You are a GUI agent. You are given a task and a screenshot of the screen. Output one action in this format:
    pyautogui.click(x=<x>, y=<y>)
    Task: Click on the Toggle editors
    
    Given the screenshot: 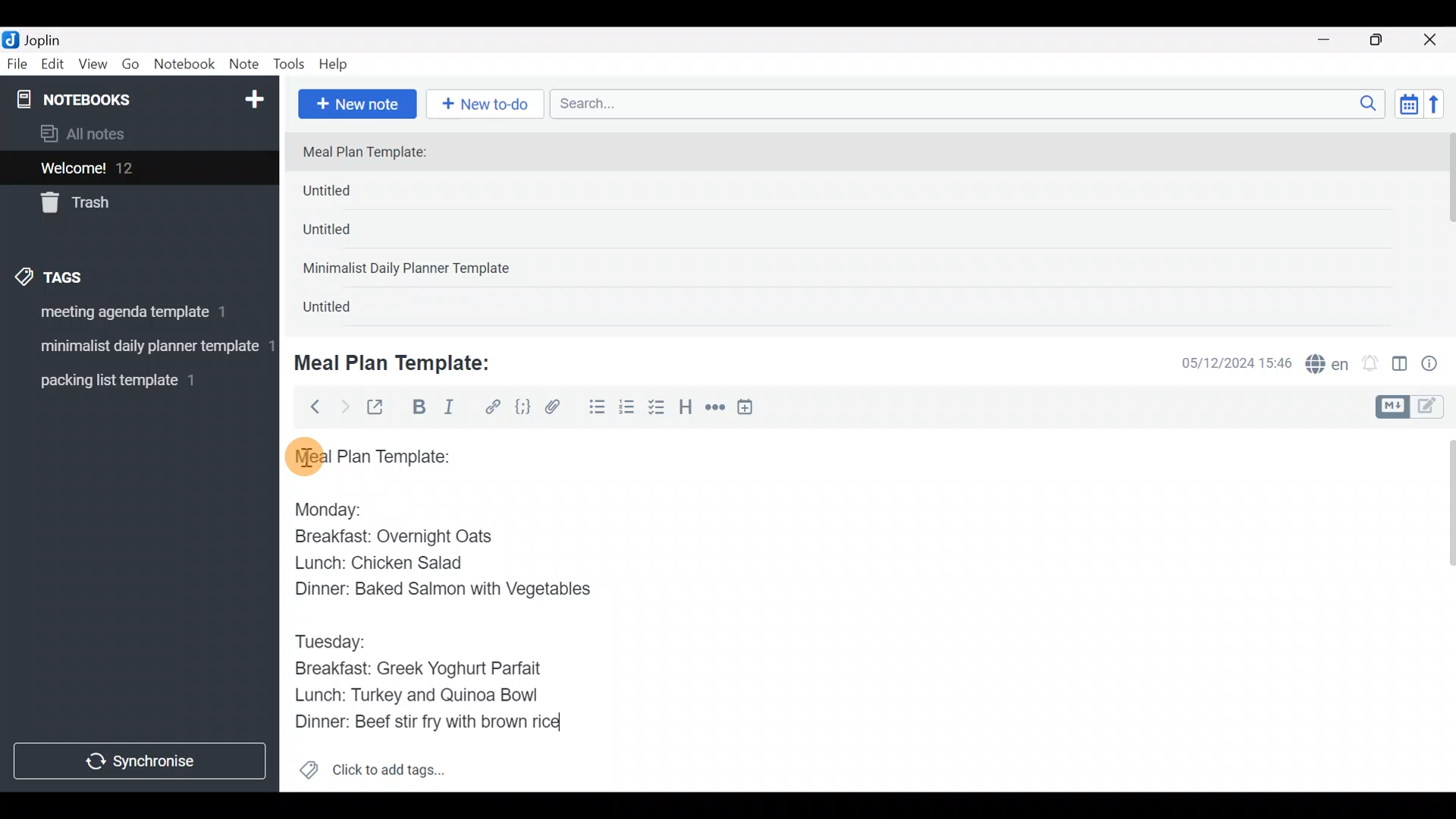 What is the action you would take?
    pyautogui.click(x=1414, y=405)
    